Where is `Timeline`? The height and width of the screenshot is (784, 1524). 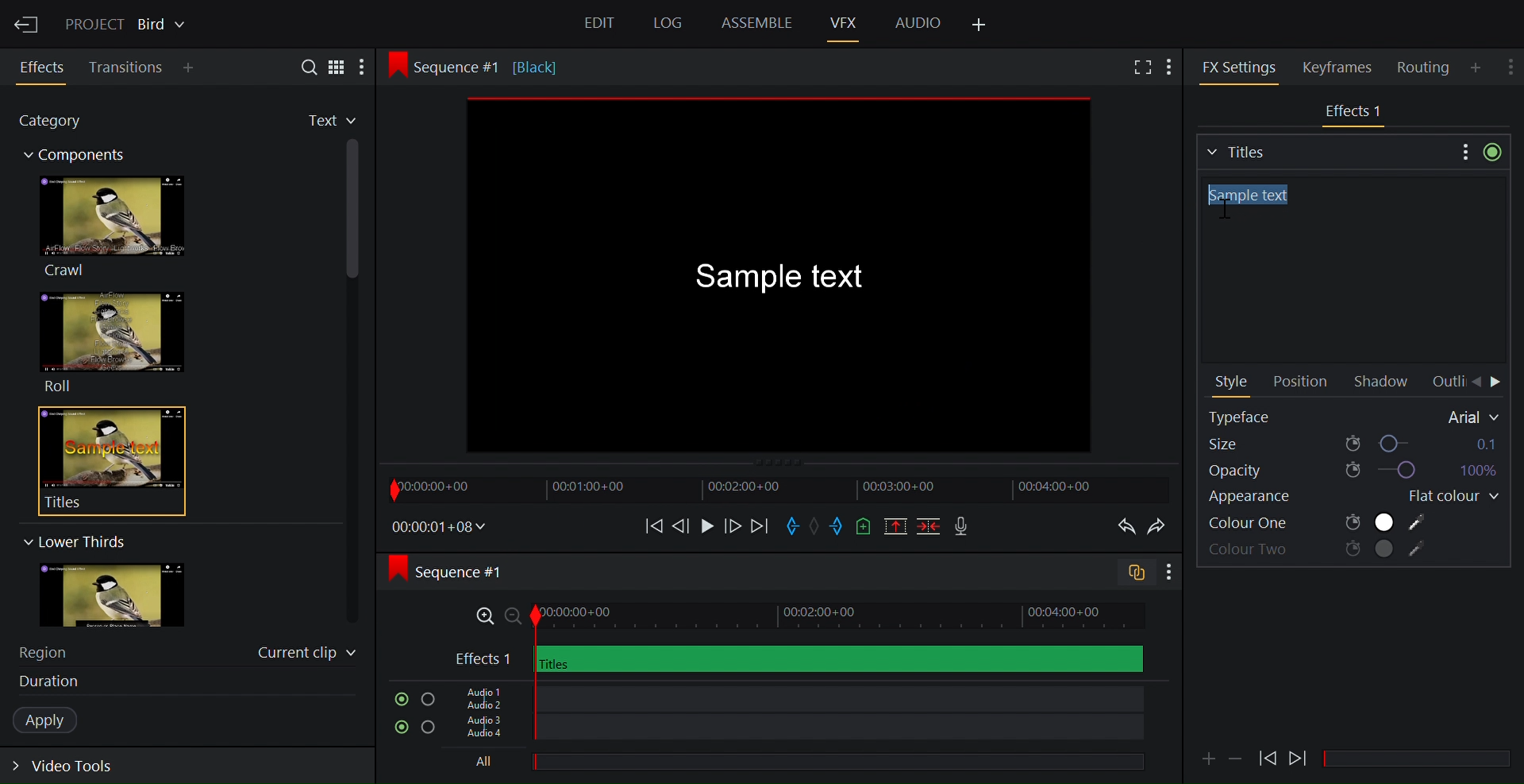 Timeline is located at coordinates (777, 489).